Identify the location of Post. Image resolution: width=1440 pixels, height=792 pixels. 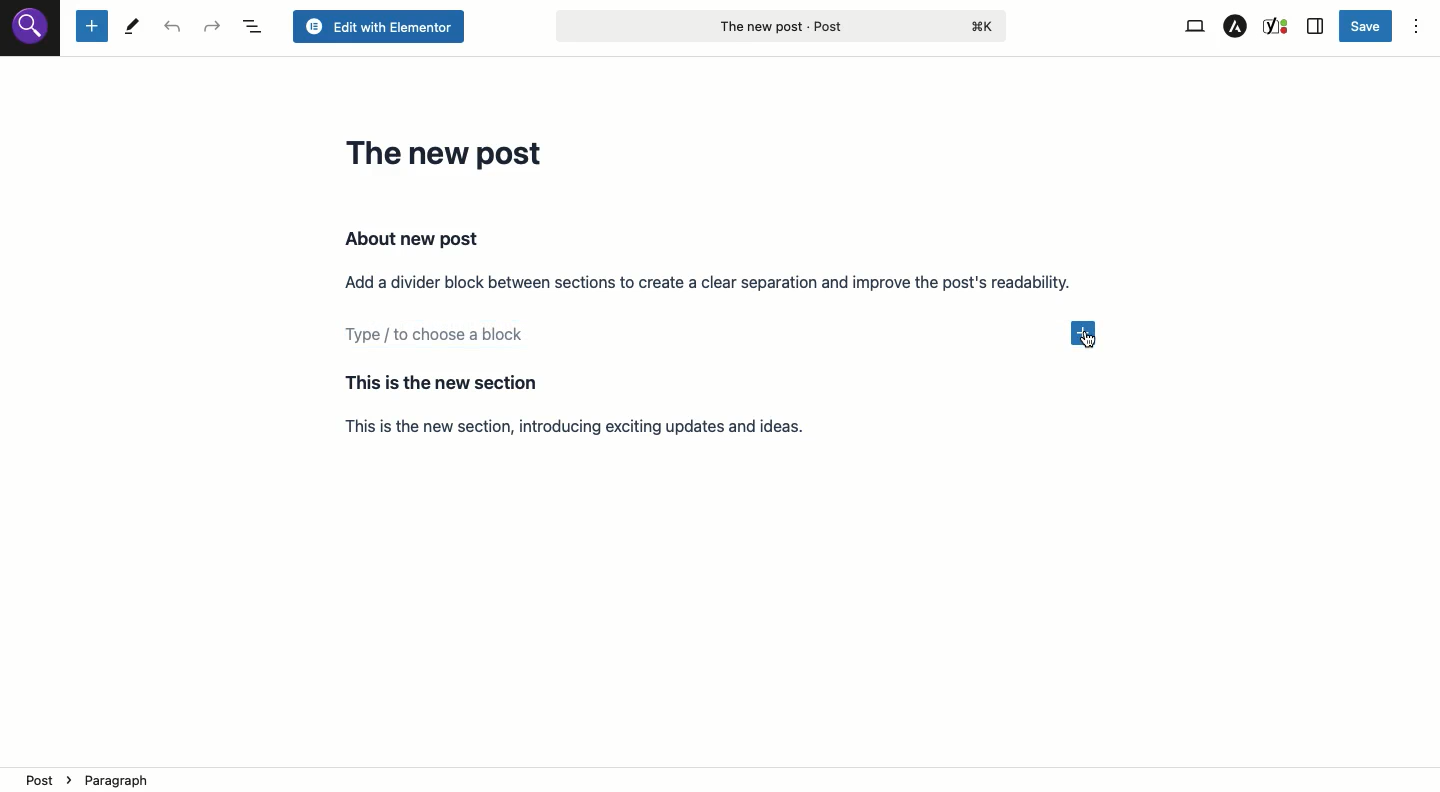
(780, 25).